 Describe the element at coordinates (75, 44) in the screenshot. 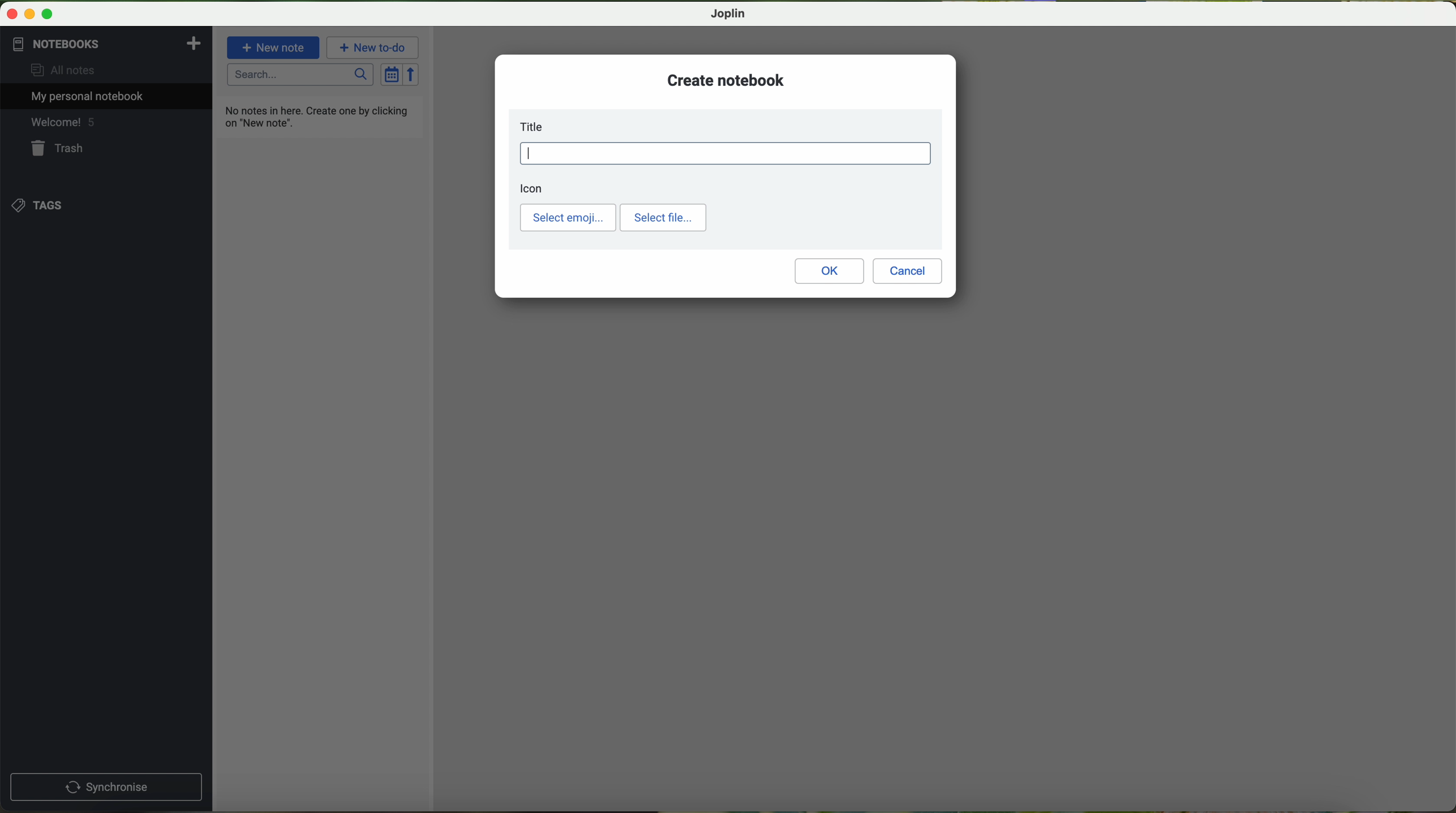

I see `pointer on the notebooks button` at that location.